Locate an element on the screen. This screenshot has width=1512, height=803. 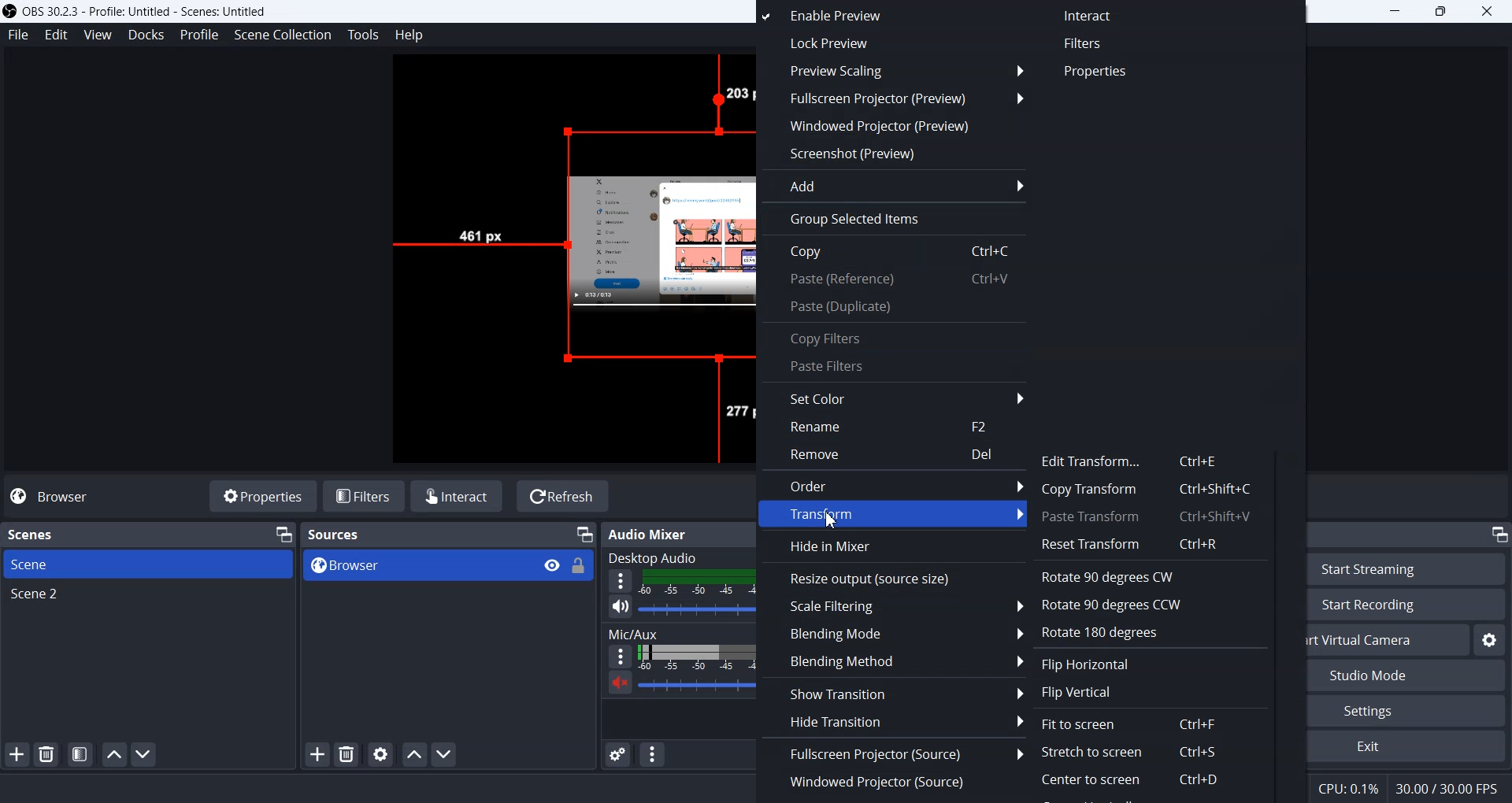
Restore down  is located at coordinates (1447, 13).